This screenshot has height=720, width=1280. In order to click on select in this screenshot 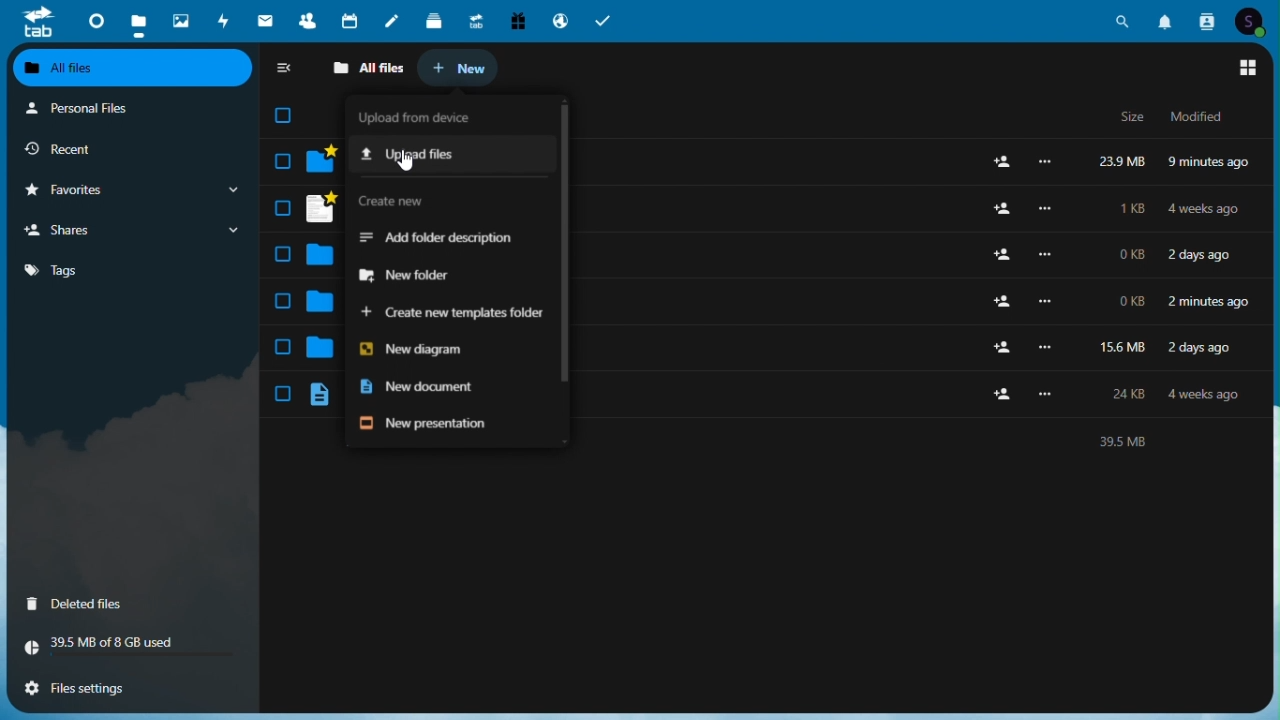, I will do `click(281, 208)`.